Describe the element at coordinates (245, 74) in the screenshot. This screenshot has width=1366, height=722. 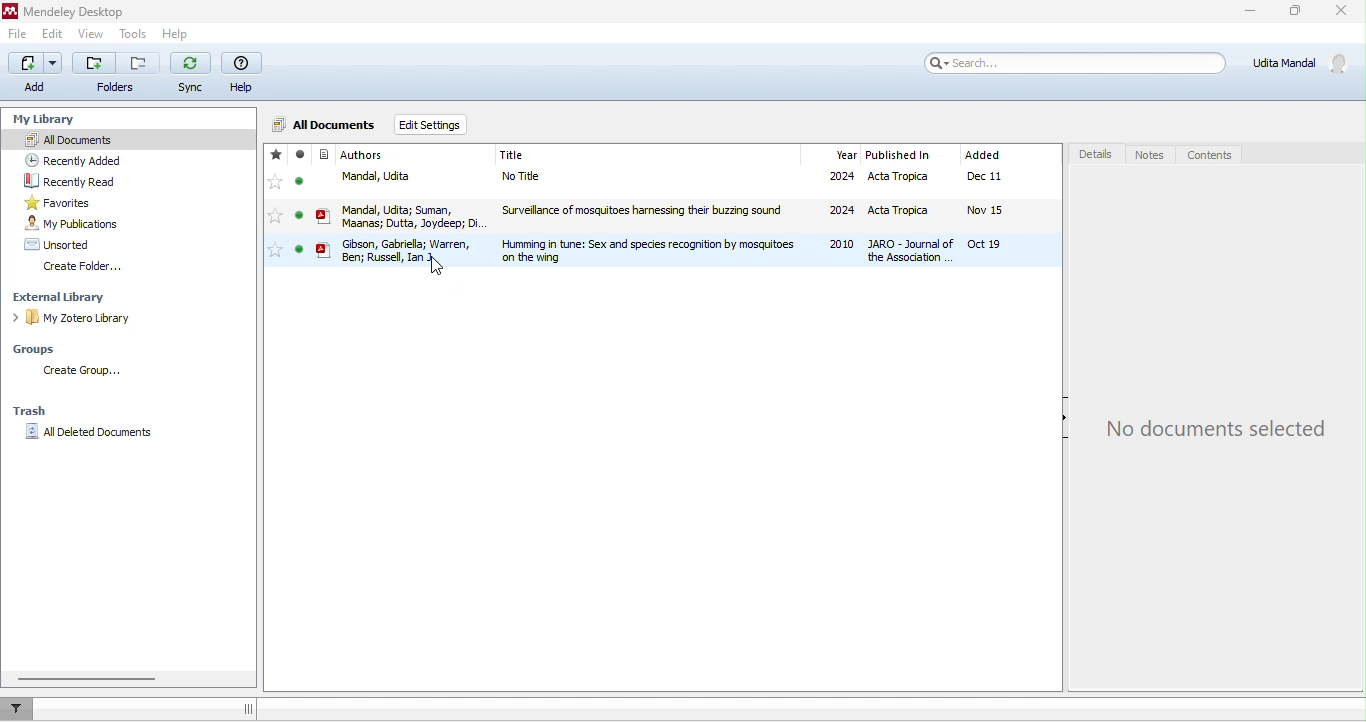
I see `help` at that location.